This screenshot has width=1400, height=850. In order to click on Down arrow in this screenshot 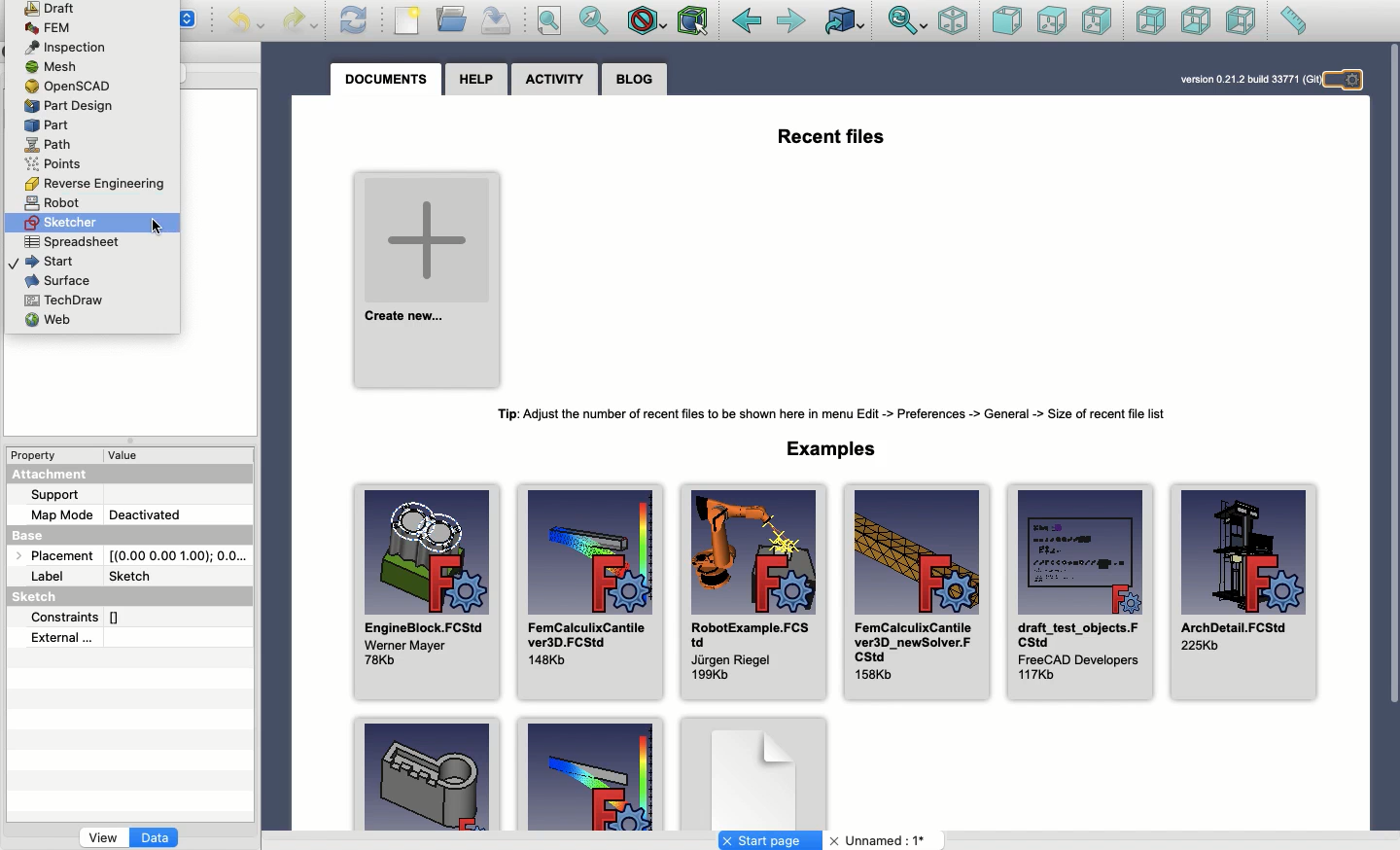, I will do `click(192, 26)`.